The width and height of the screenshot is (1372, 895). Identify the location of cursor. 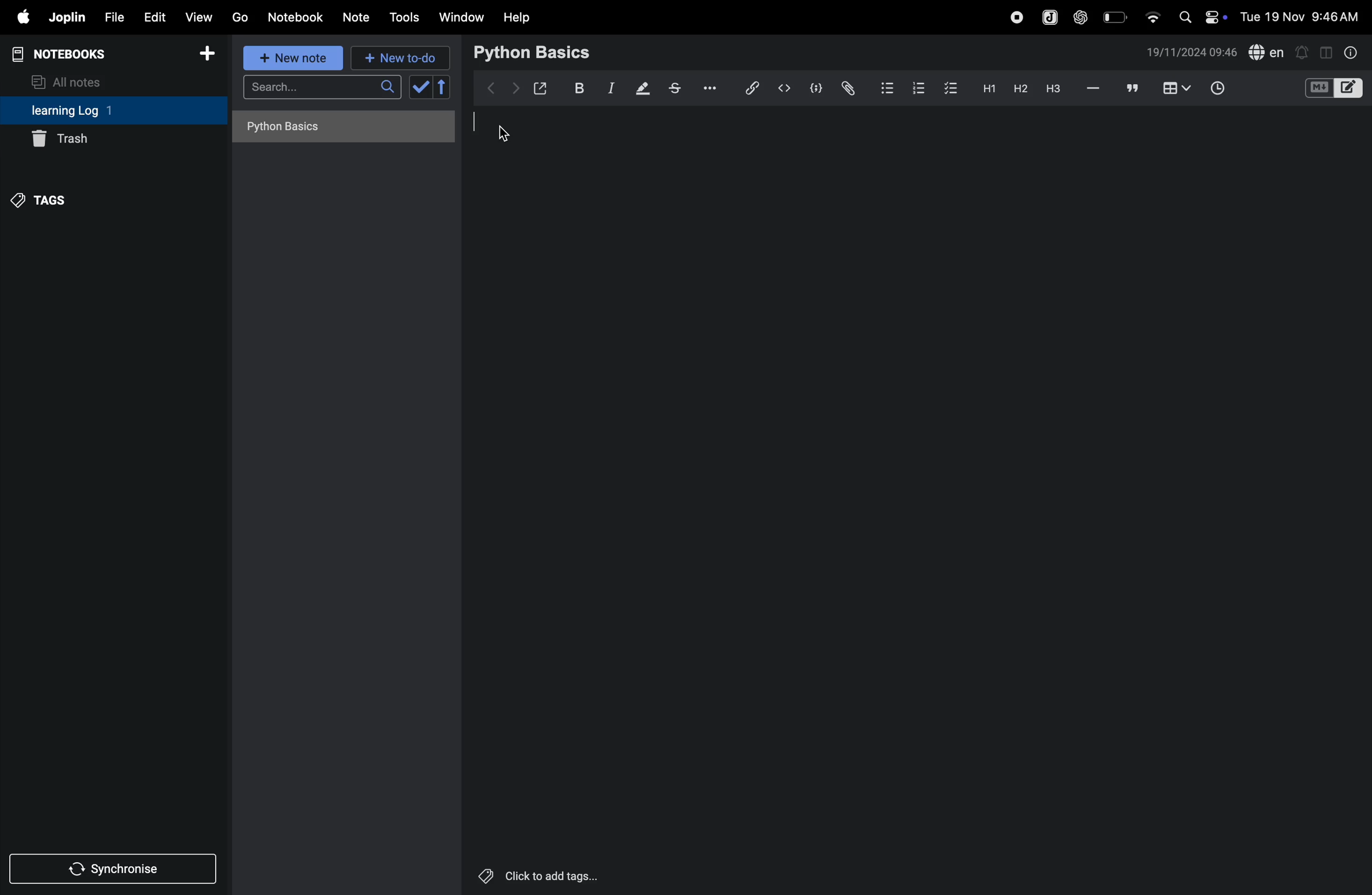
(477, 122).